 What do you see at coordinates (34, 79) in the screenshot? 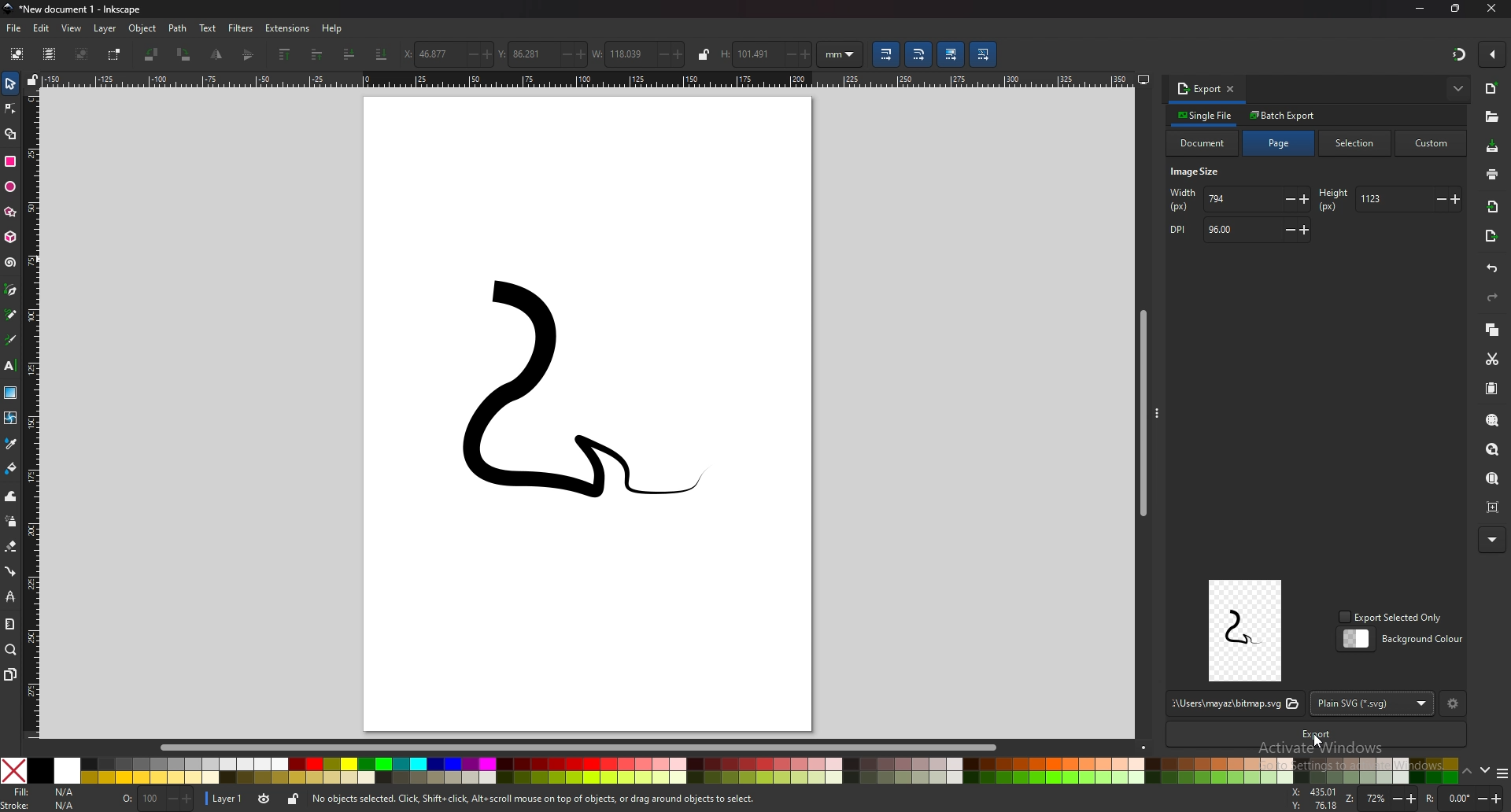
I see `lock guides` at bounding box center [34, 79].